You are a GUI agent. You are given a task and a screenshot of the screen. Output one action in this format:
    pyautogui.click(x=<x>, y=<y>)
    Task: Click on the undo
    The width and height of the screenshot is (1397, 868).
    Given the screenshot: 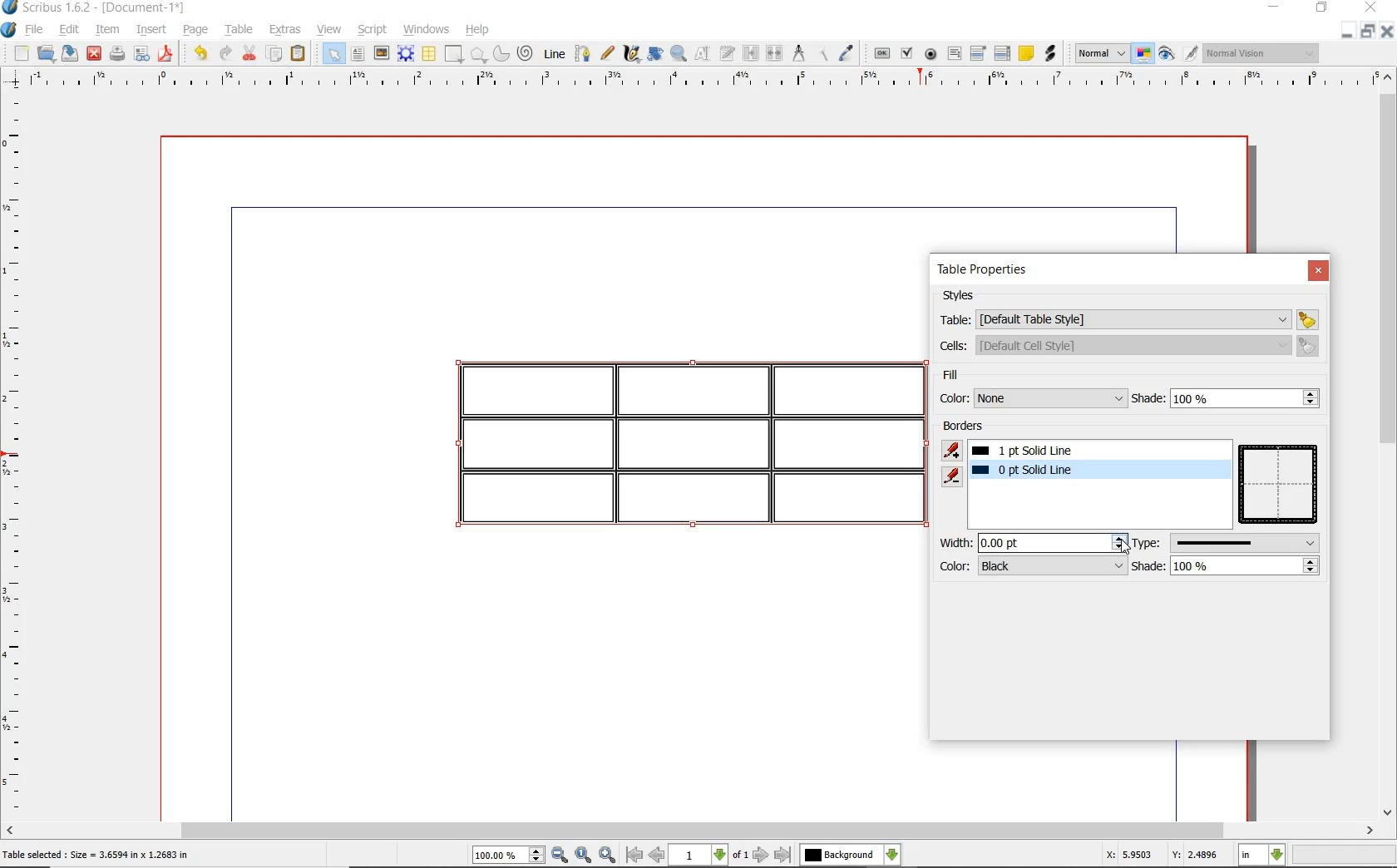 What is the action you would take?
    pyautogui.click(x=200, y=54)
    